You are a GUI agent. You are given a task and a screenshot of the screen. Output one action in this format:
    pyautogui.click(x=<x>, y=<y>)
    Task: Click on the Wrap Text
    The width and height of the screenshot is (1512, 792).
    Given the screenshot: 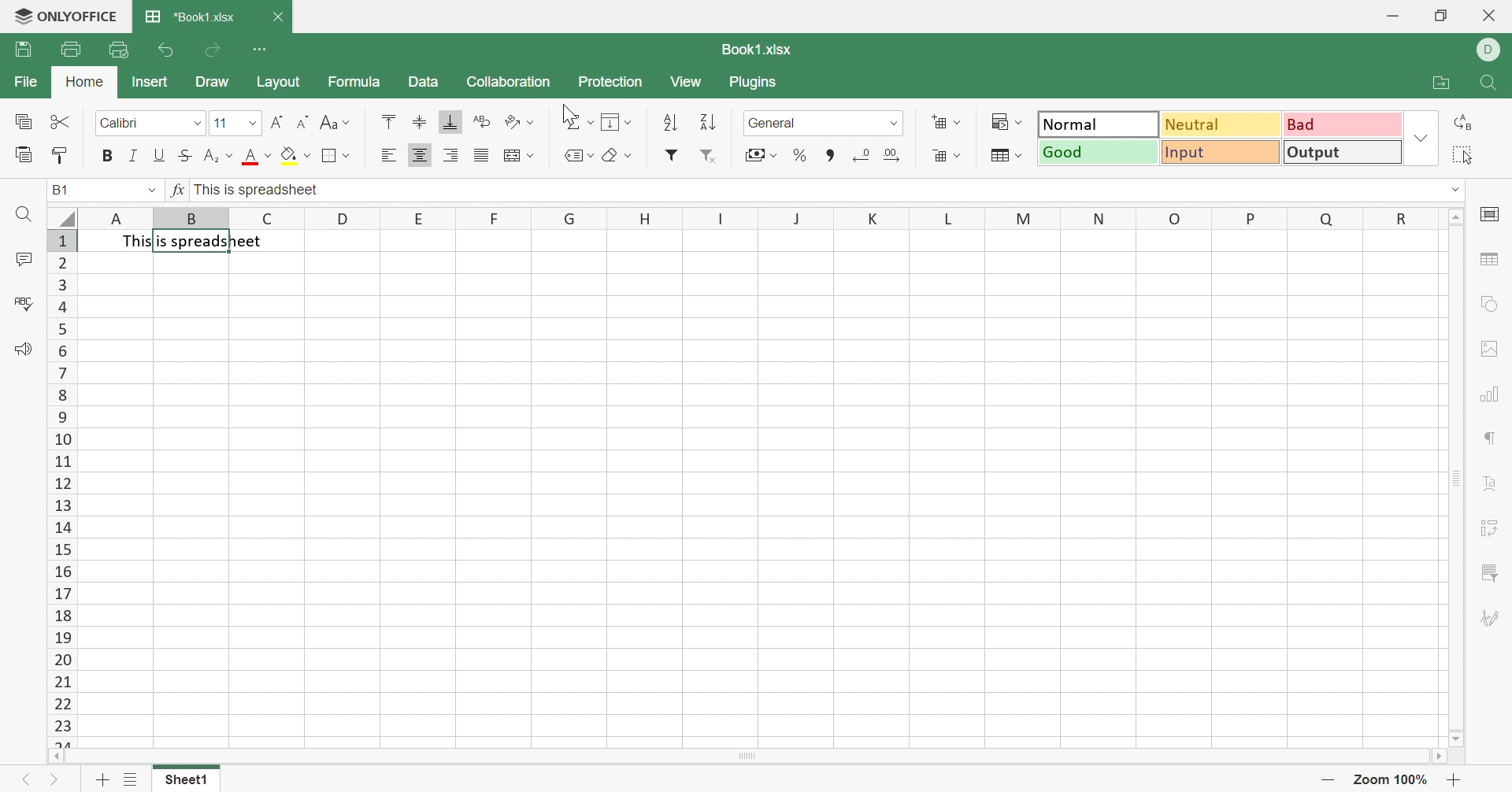 What is the action you would take?
    pyautogui.click(x=481, y=120)
    